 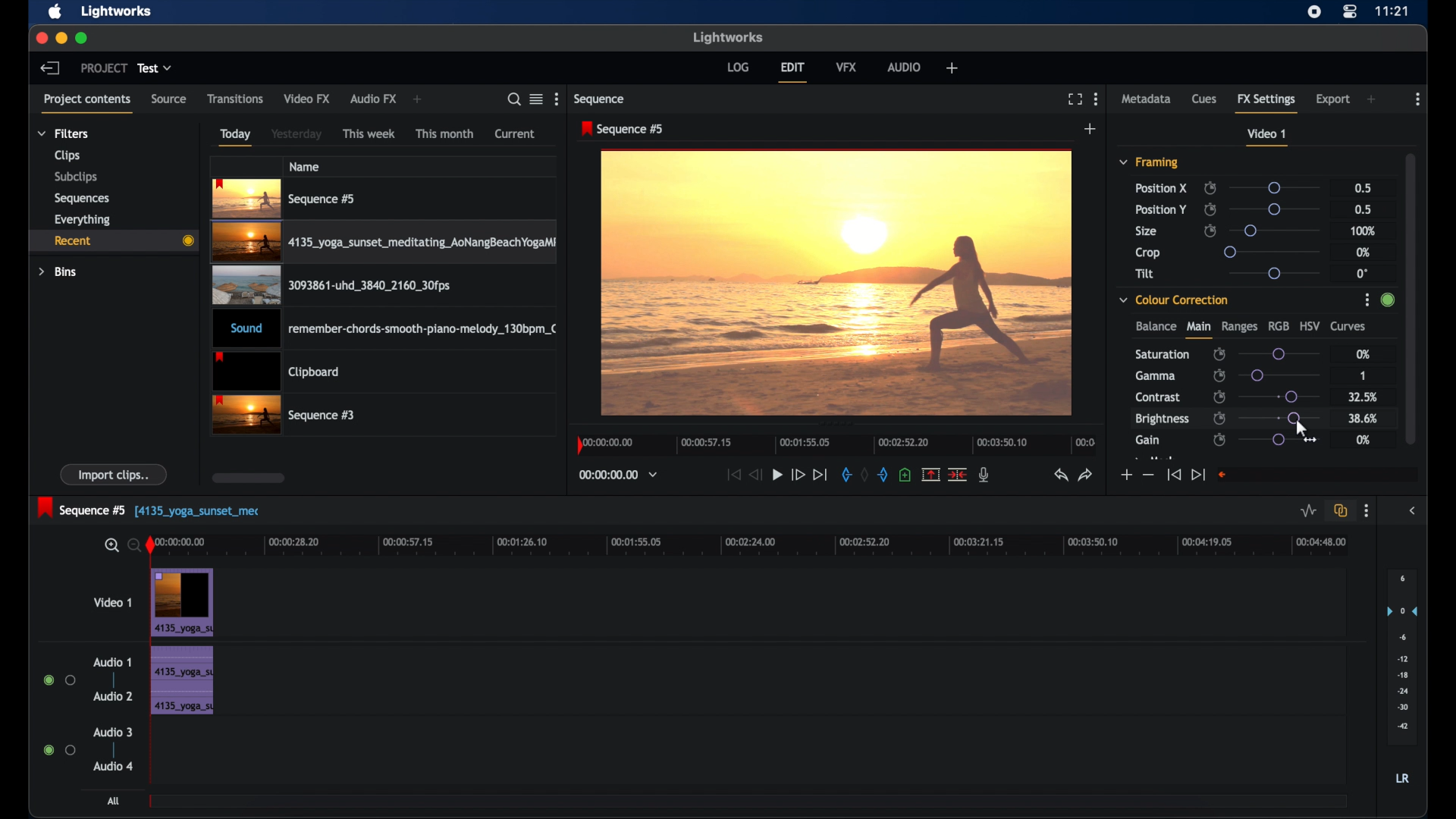 What do you see at coordinates (63, 38) in the screenshot?
I see `minimize` at bounding box center [63, 38].